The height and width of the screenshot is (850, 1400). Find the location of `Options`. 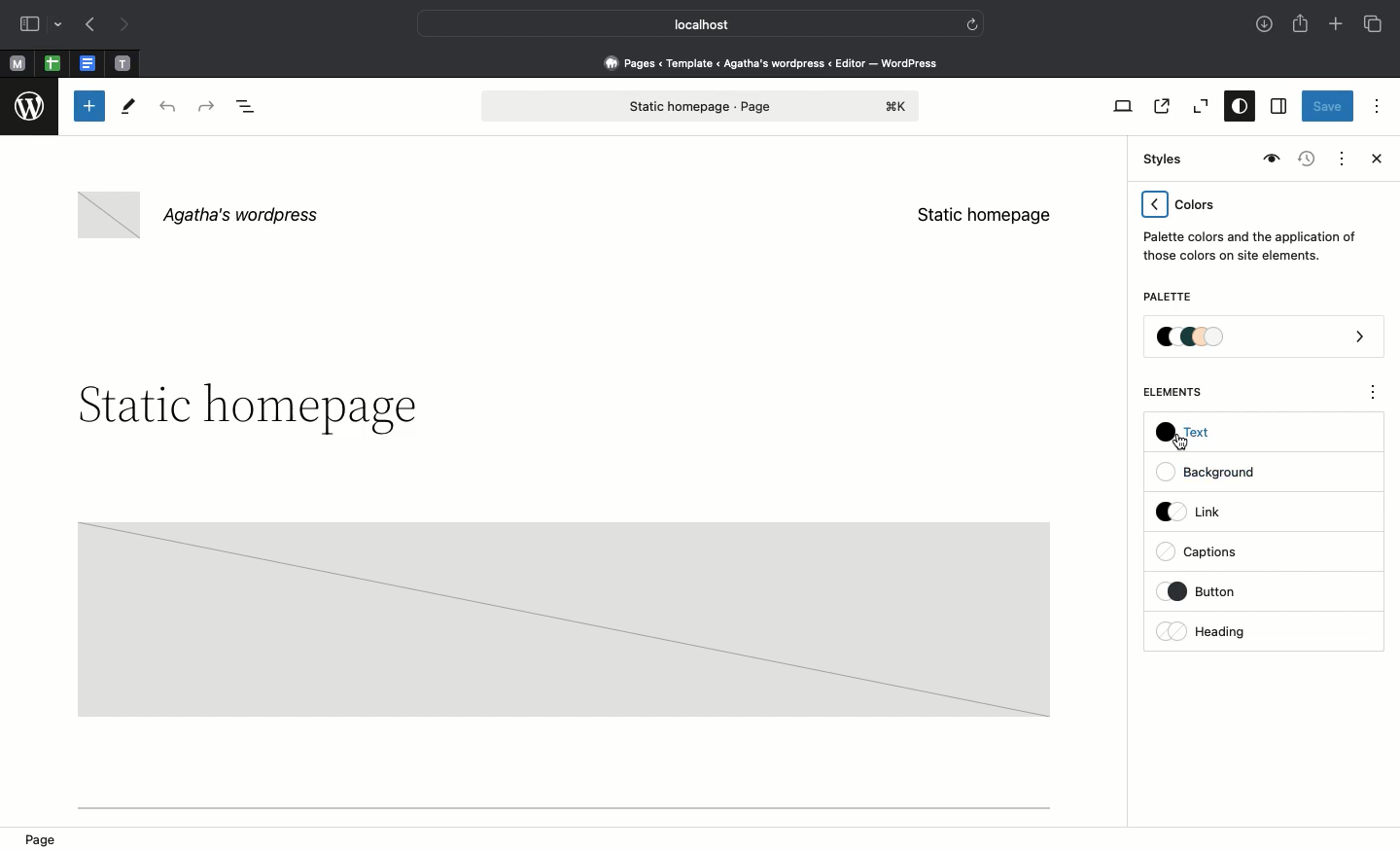

Options is located at coordinates (1377, 105).